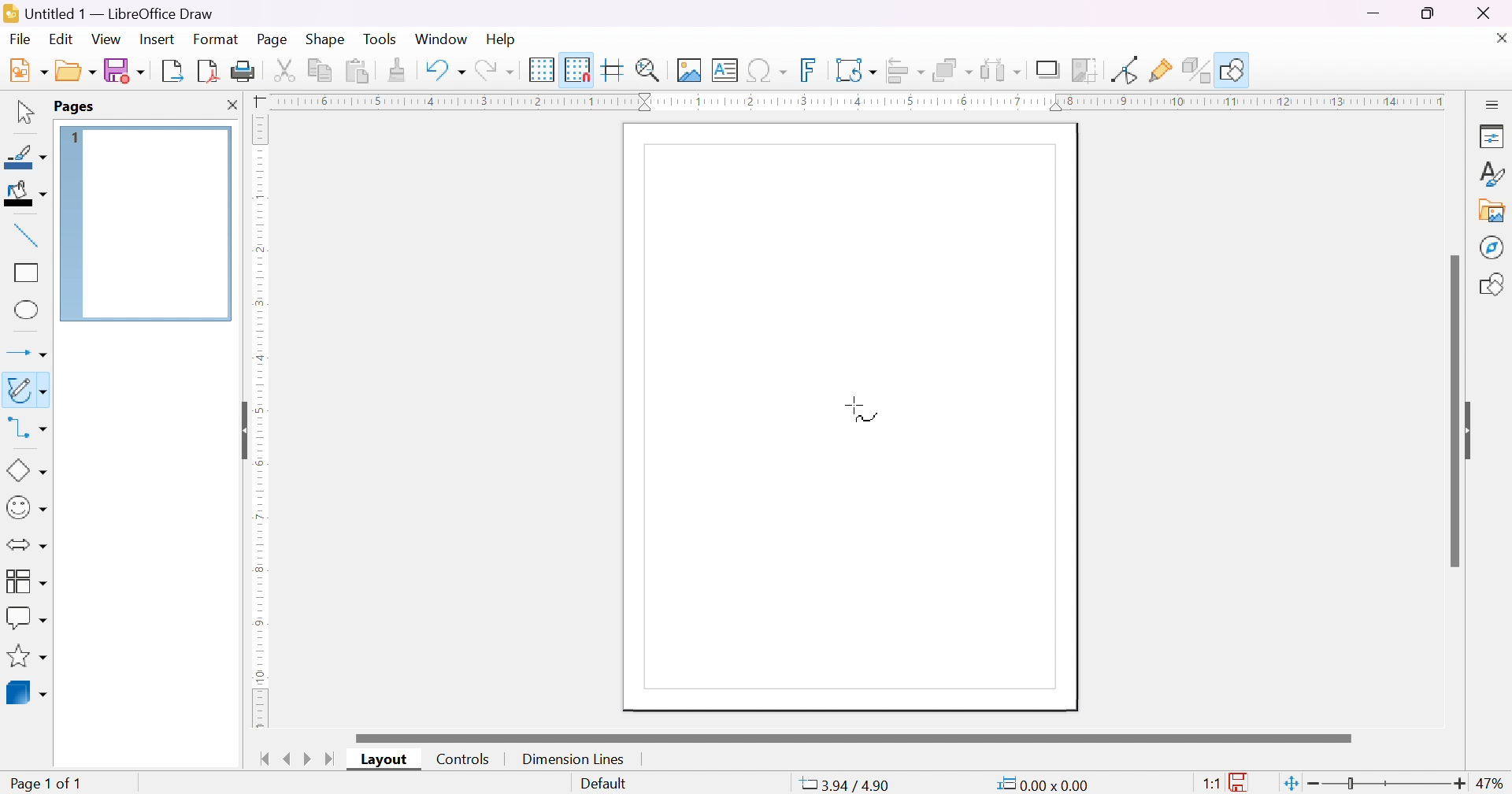 The width and height of the screenshot is (1512, 794). Describe the element at coordinates (26, 693) in the screenshot. I see `3D objects` at that location.